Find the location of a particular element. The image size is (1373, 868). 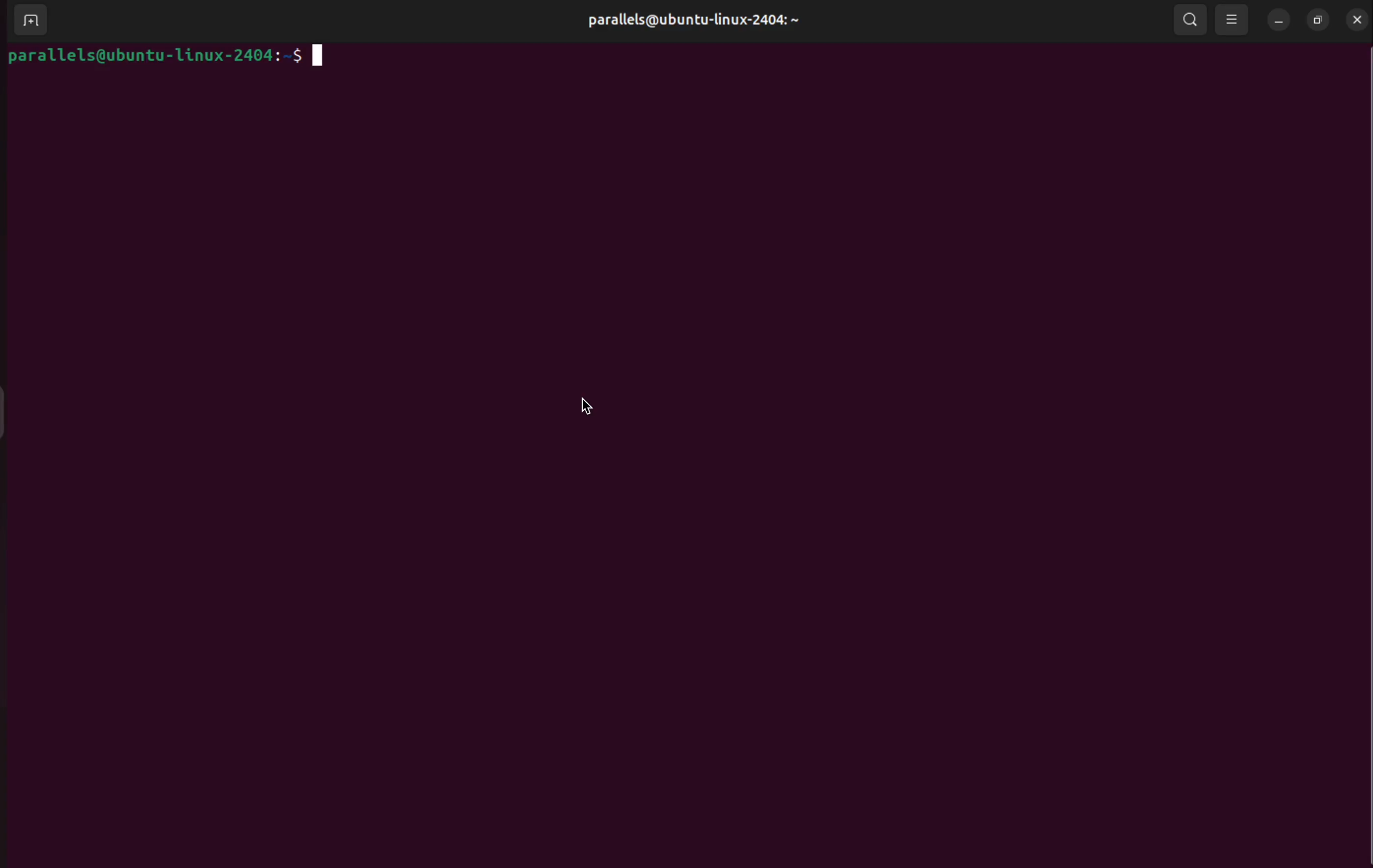

close is located at coordinates (1359, 19).